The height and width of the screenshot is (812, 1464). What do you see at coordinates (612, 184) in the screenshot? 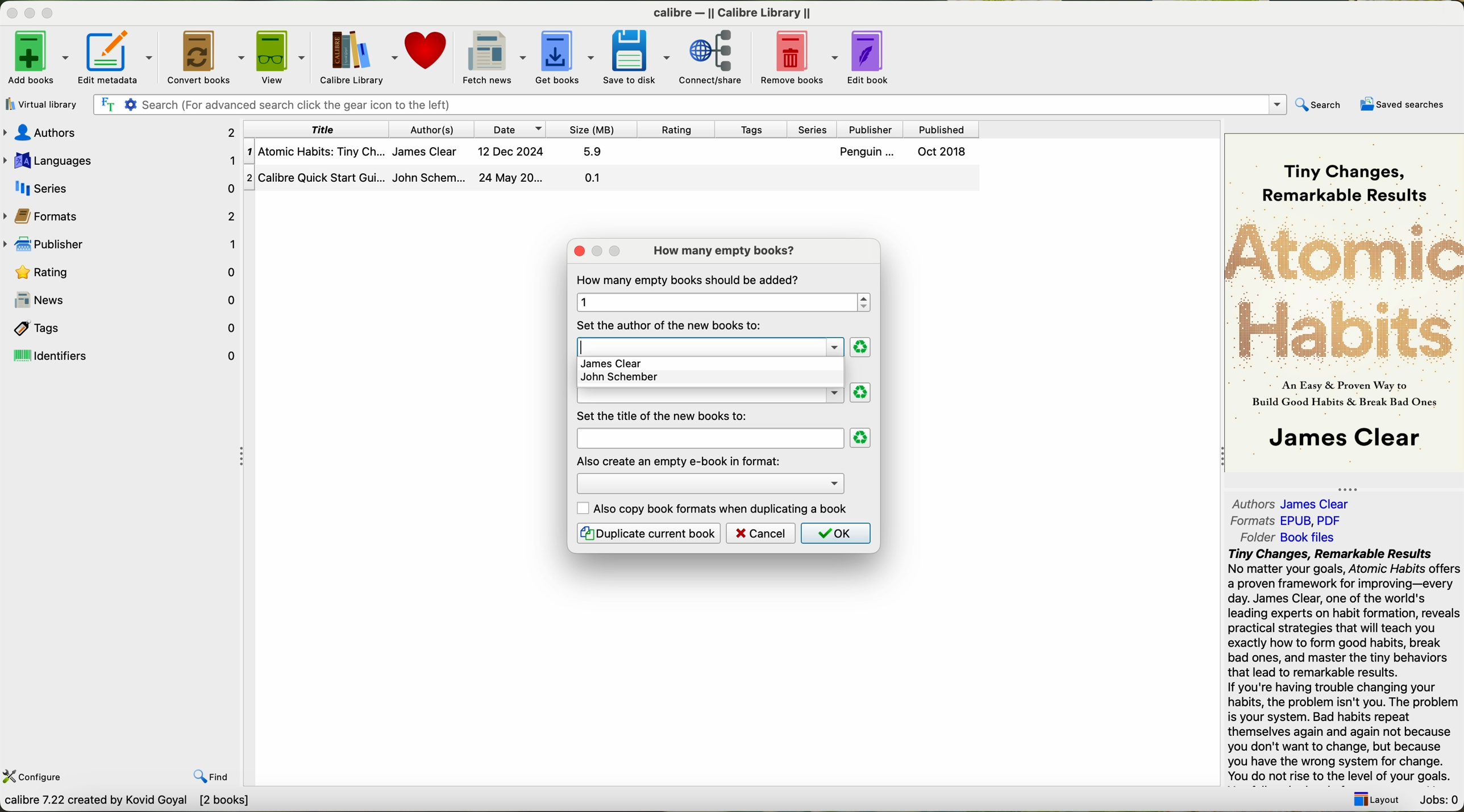
I see `second book` at bounding box center [612, 184].